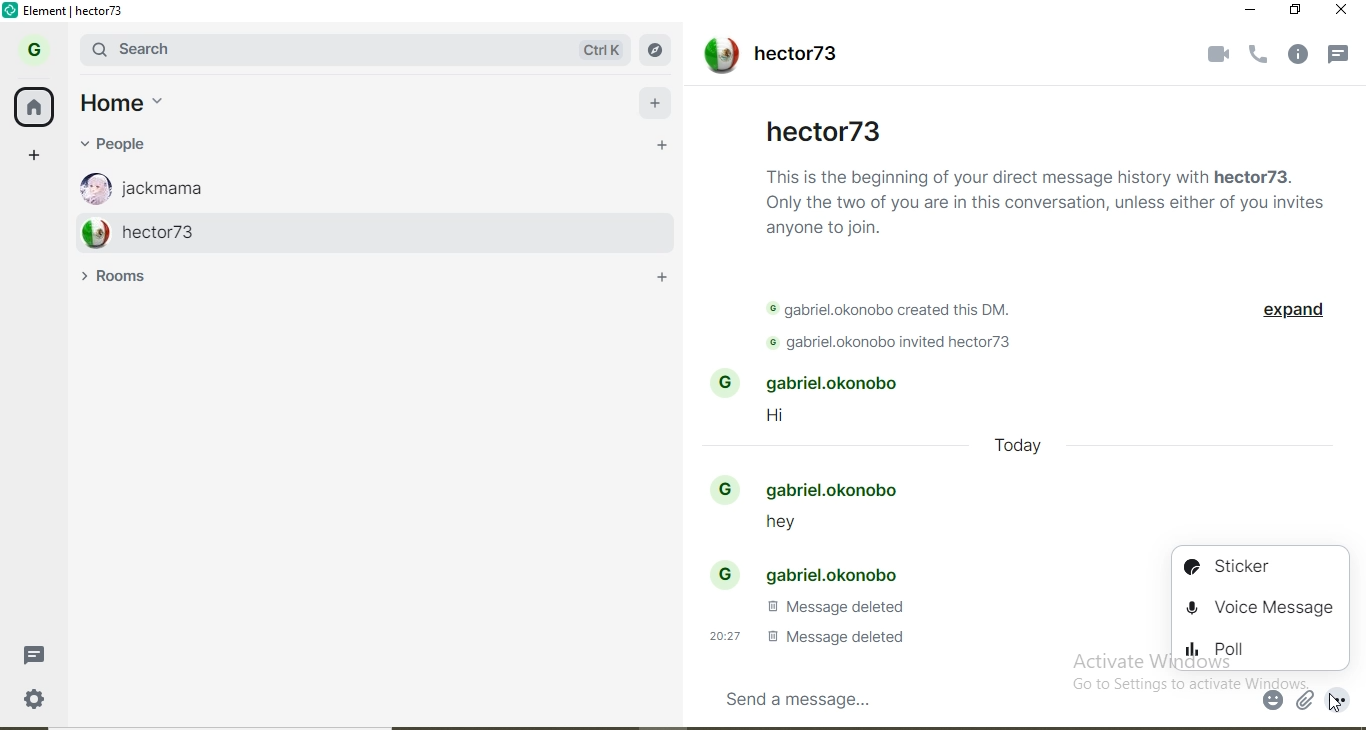 This screenshot has height=730, width=1366. I want to click on voice call, so click(1259, 55).